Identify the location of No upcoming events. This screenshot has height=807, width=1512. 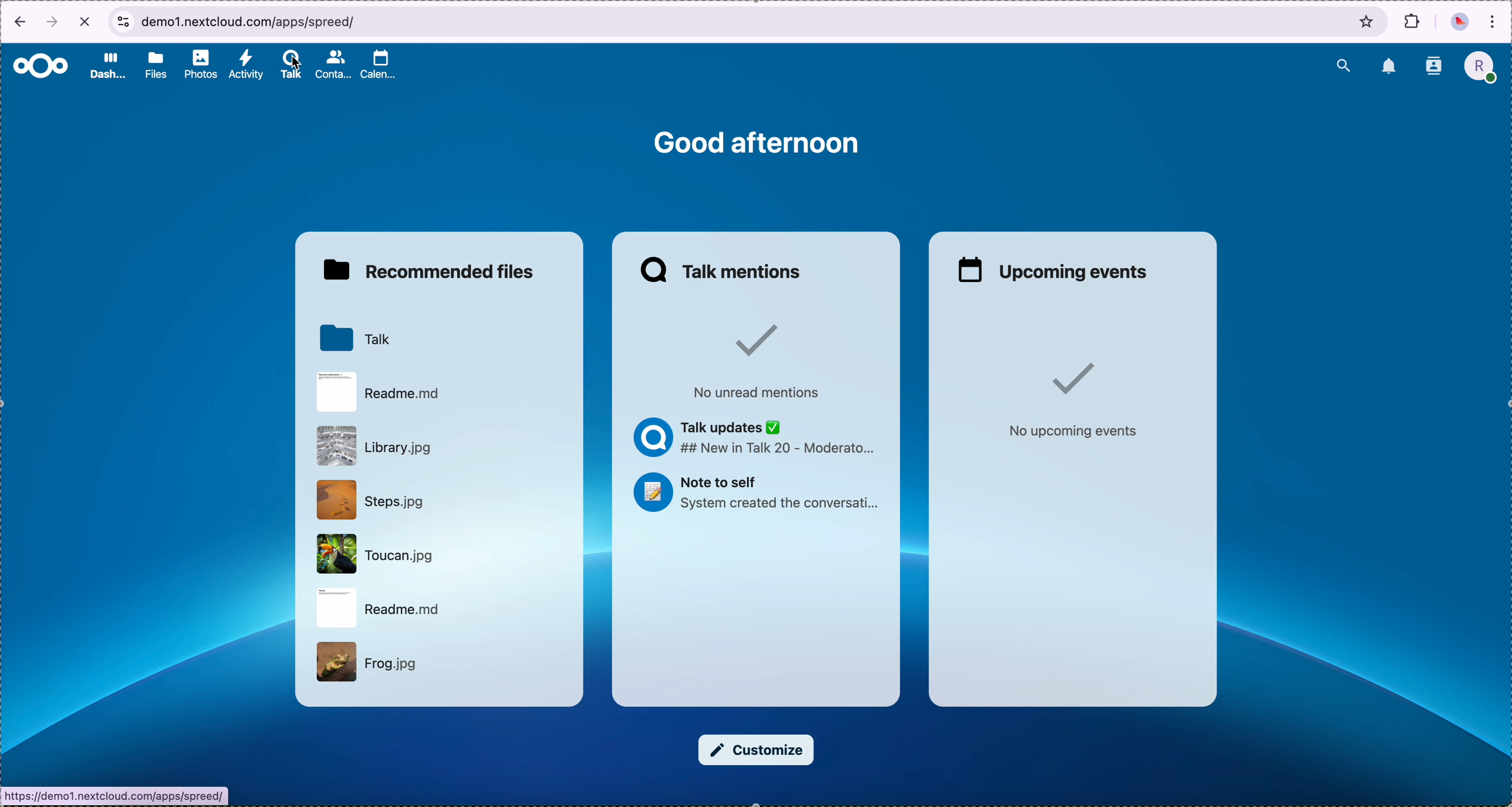
(1071, 427).